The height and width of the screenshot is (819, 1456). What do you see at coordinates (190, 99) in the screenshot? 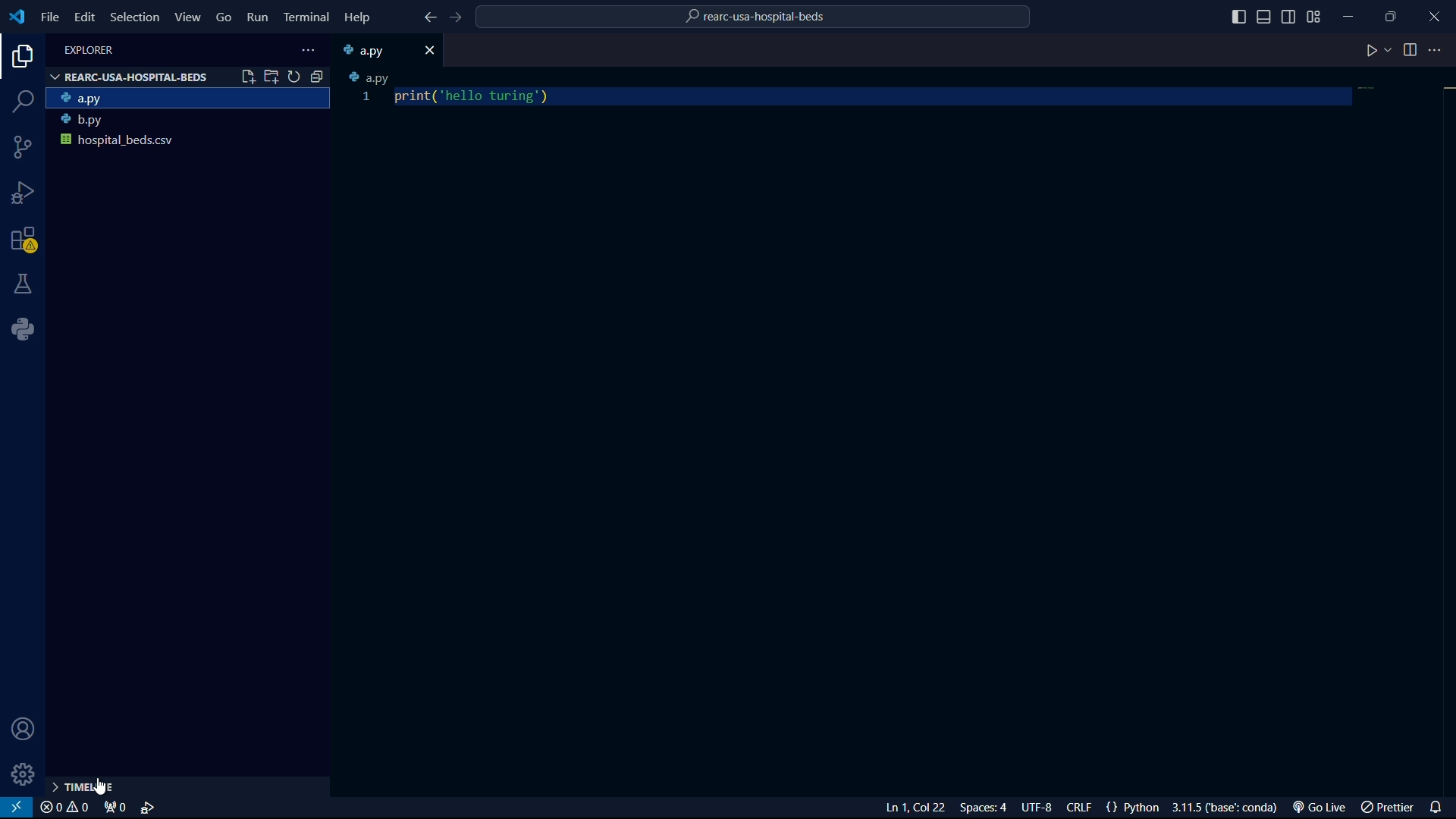
I see `a.py file` at bounding box center [190, 99].